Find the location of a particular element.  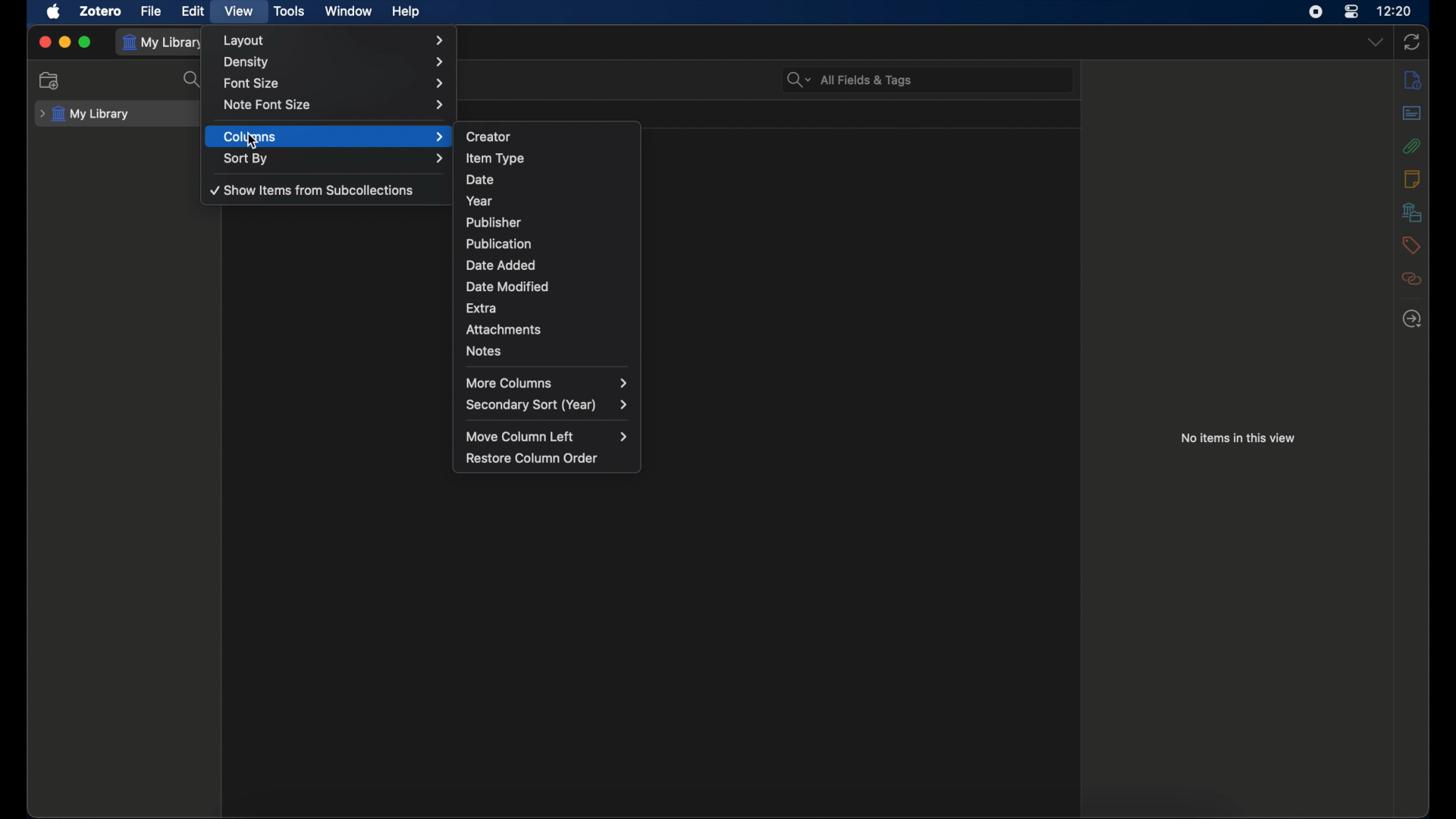

creator is located at coordinates (487, 137).